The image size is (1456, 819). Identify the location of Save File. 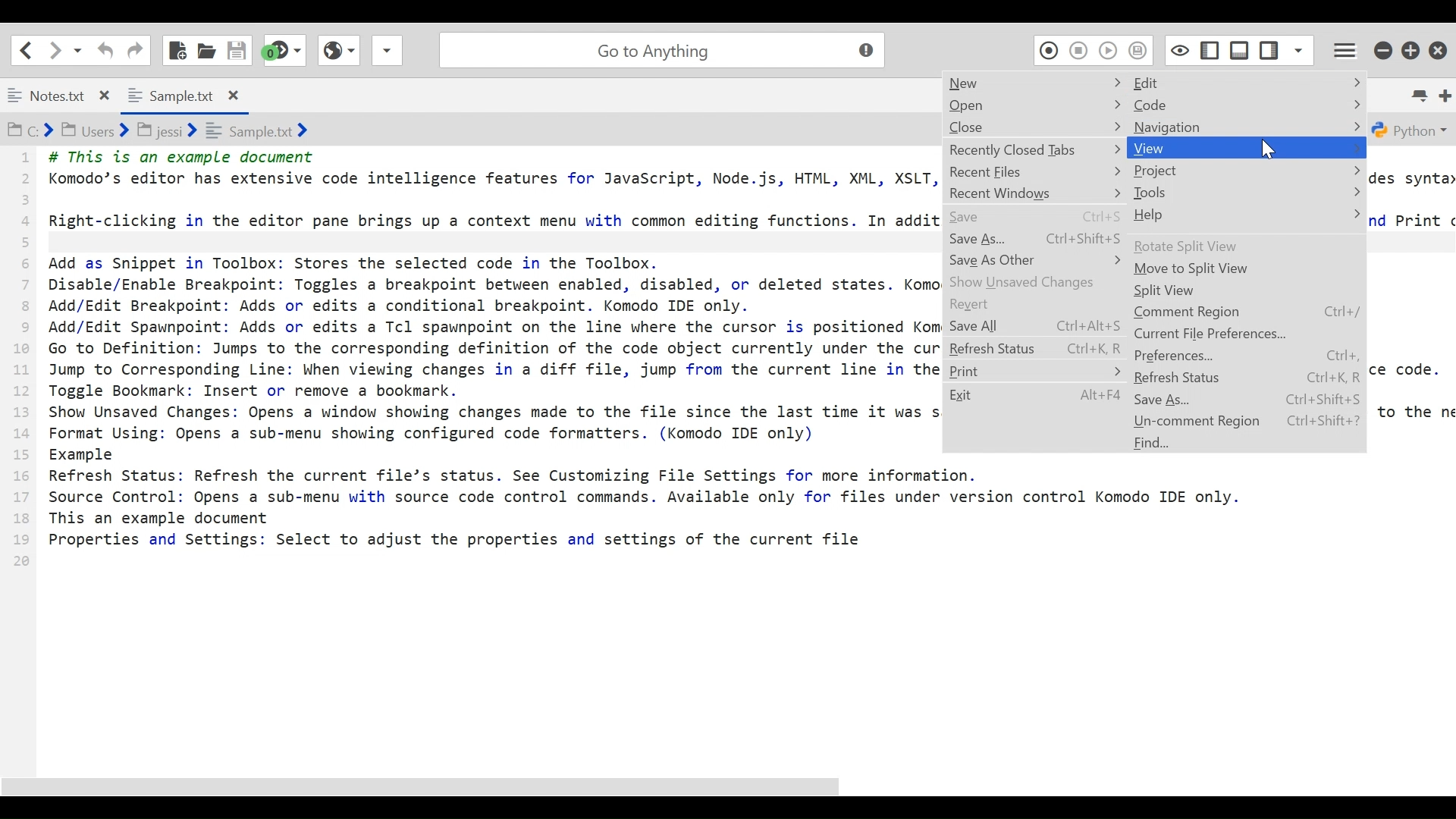
(237, 49).